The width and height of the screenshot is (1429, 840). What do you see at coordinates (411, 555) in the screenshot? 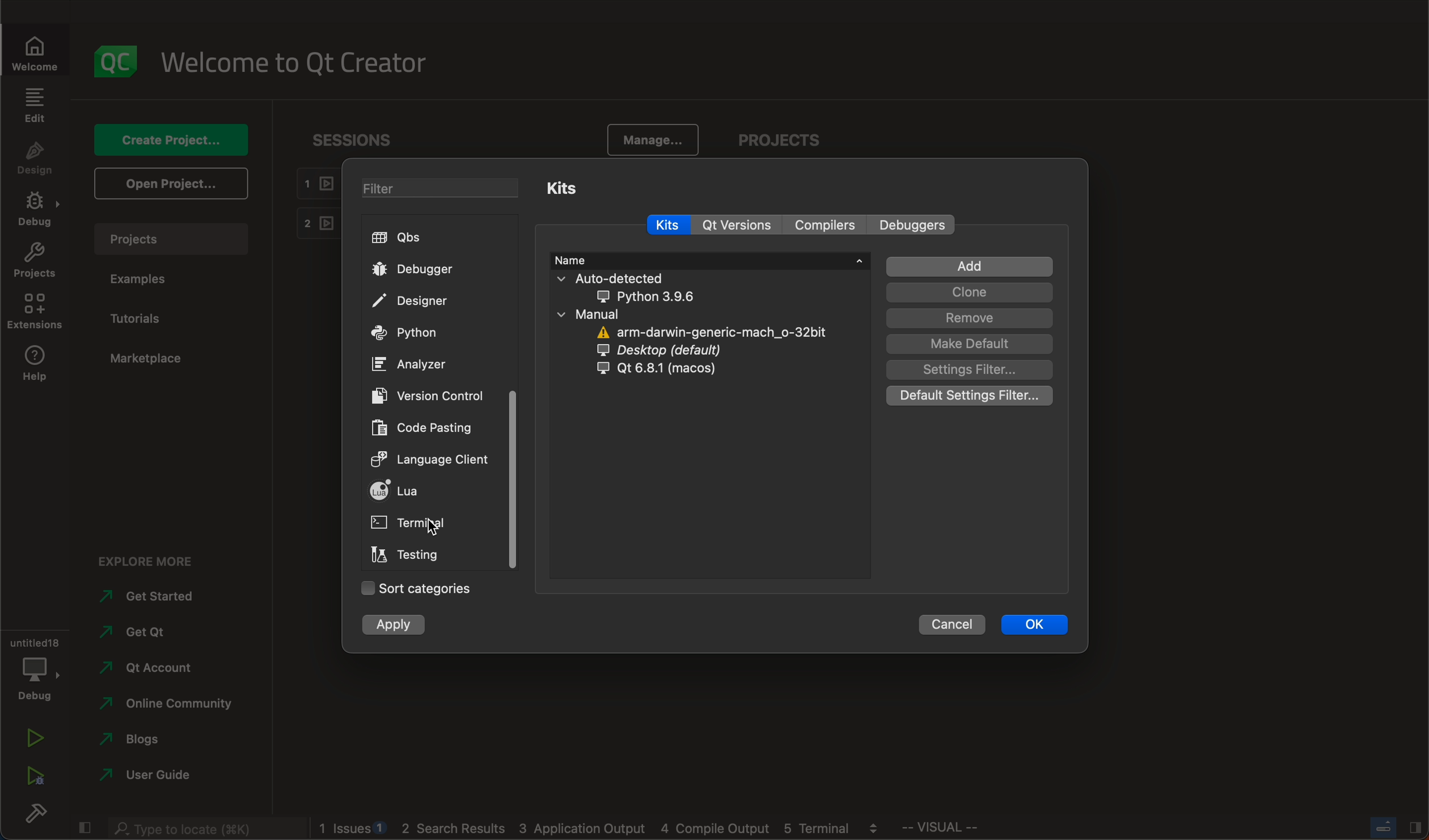
I see `testing` at bounding box center [411, 555].